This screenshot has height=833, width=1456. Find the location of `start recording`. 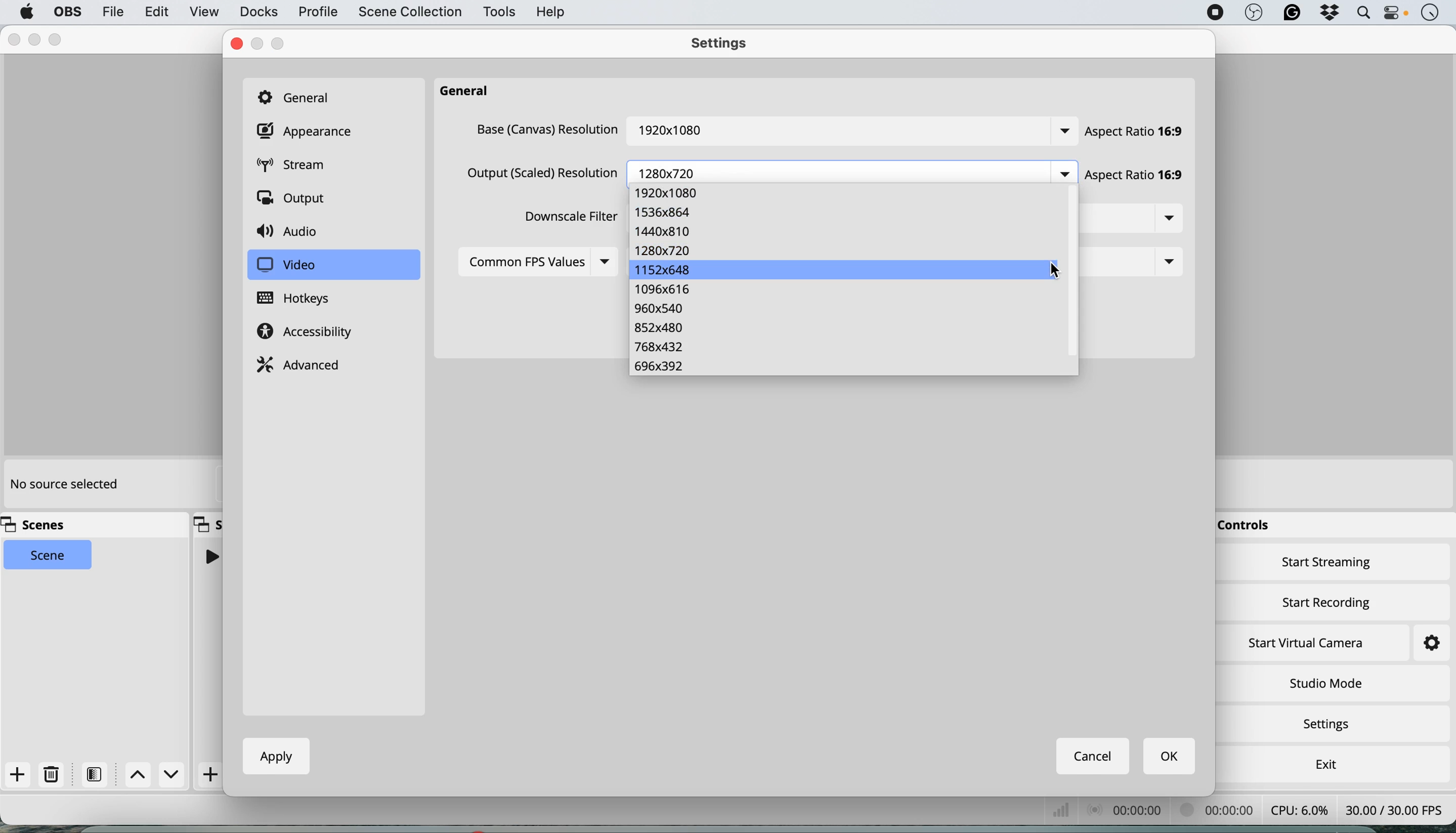

start recording is located at coordinates (1327, 600).